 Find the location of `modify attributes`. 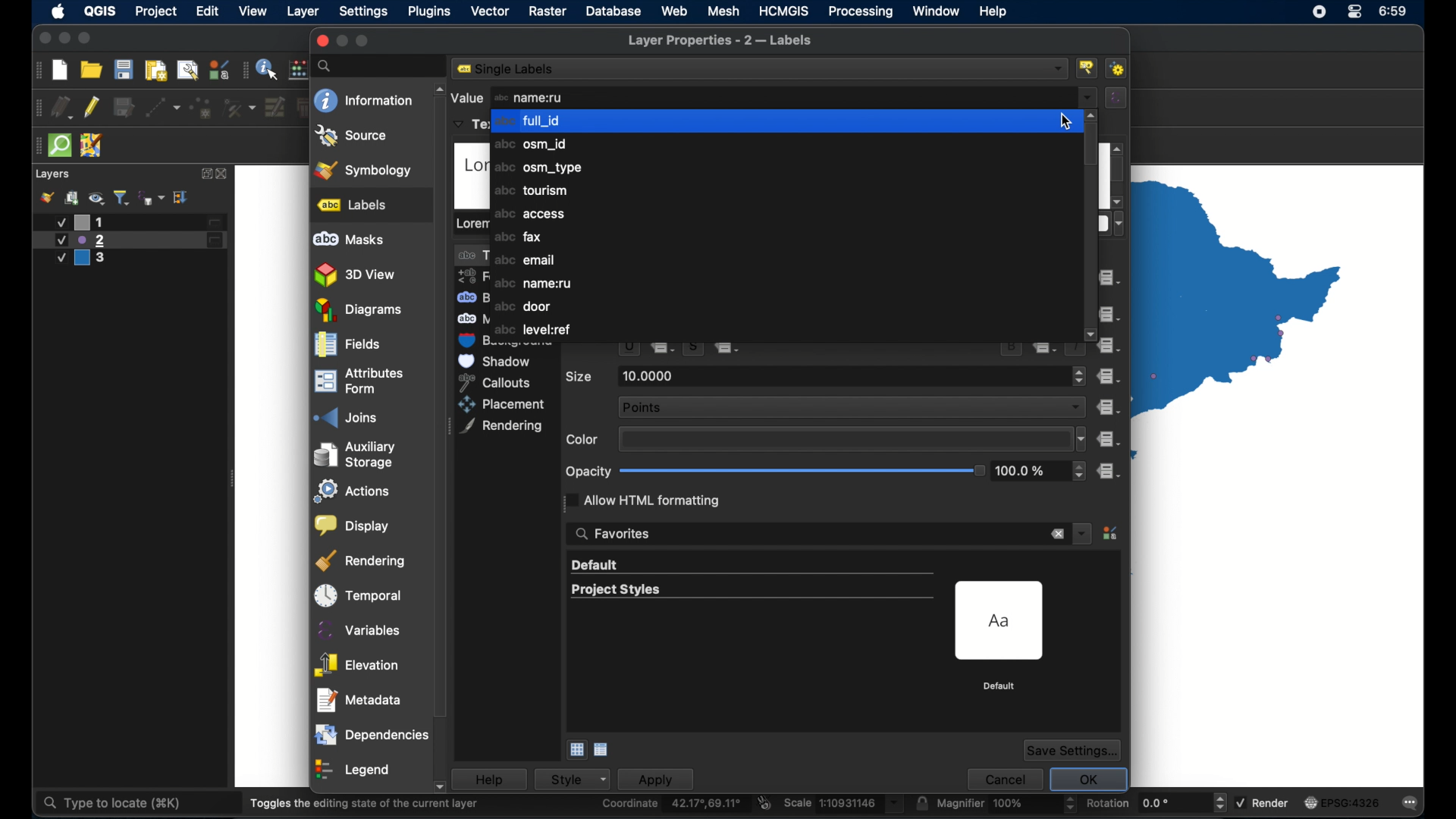

modify attributes is located at coordinates (275, 107).